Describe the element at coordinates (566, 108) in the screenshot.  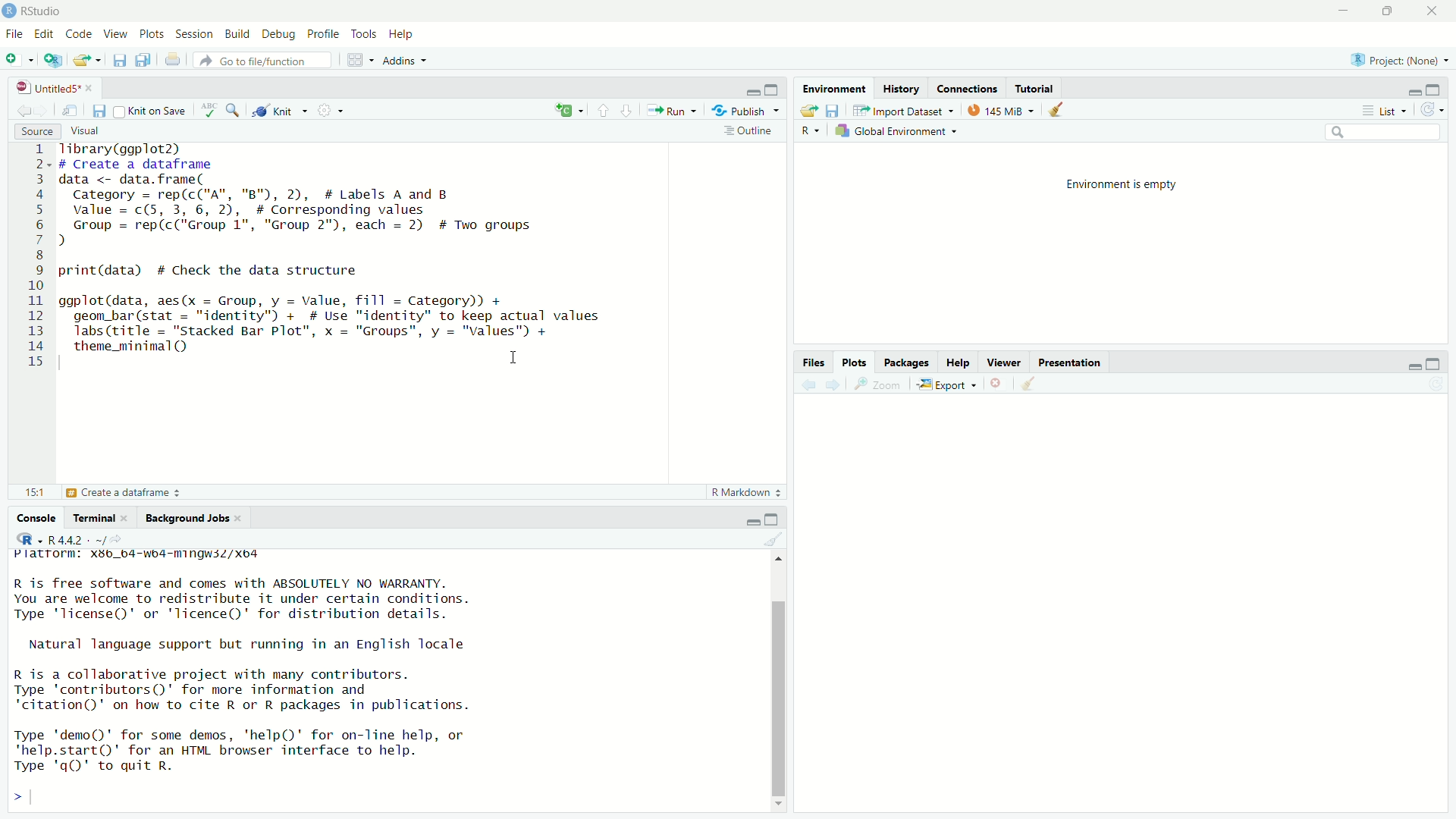
I see `Insert new code chunk` at that location.